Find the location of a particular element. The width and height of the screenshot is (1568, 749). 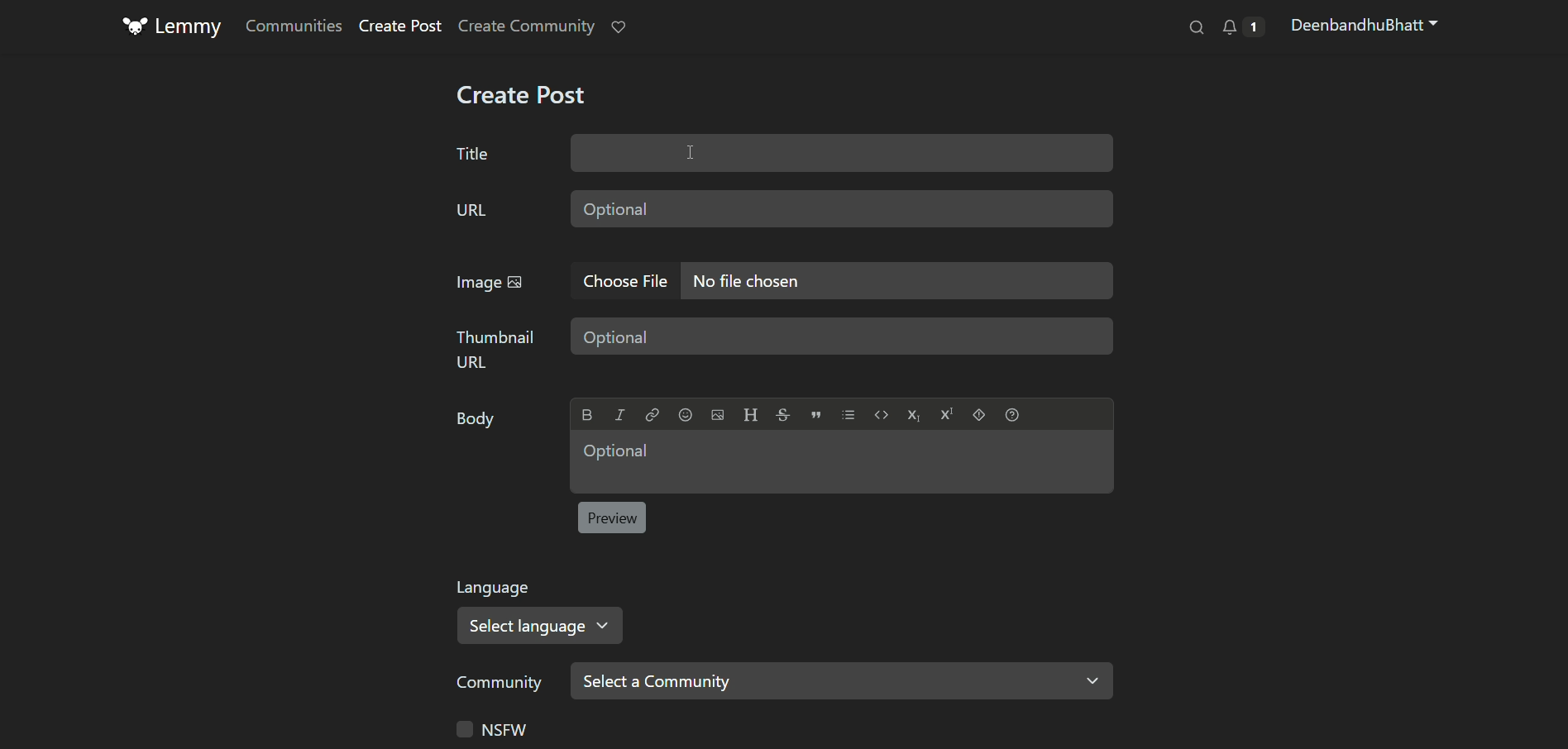

text box is located at coordinates (897, 279).